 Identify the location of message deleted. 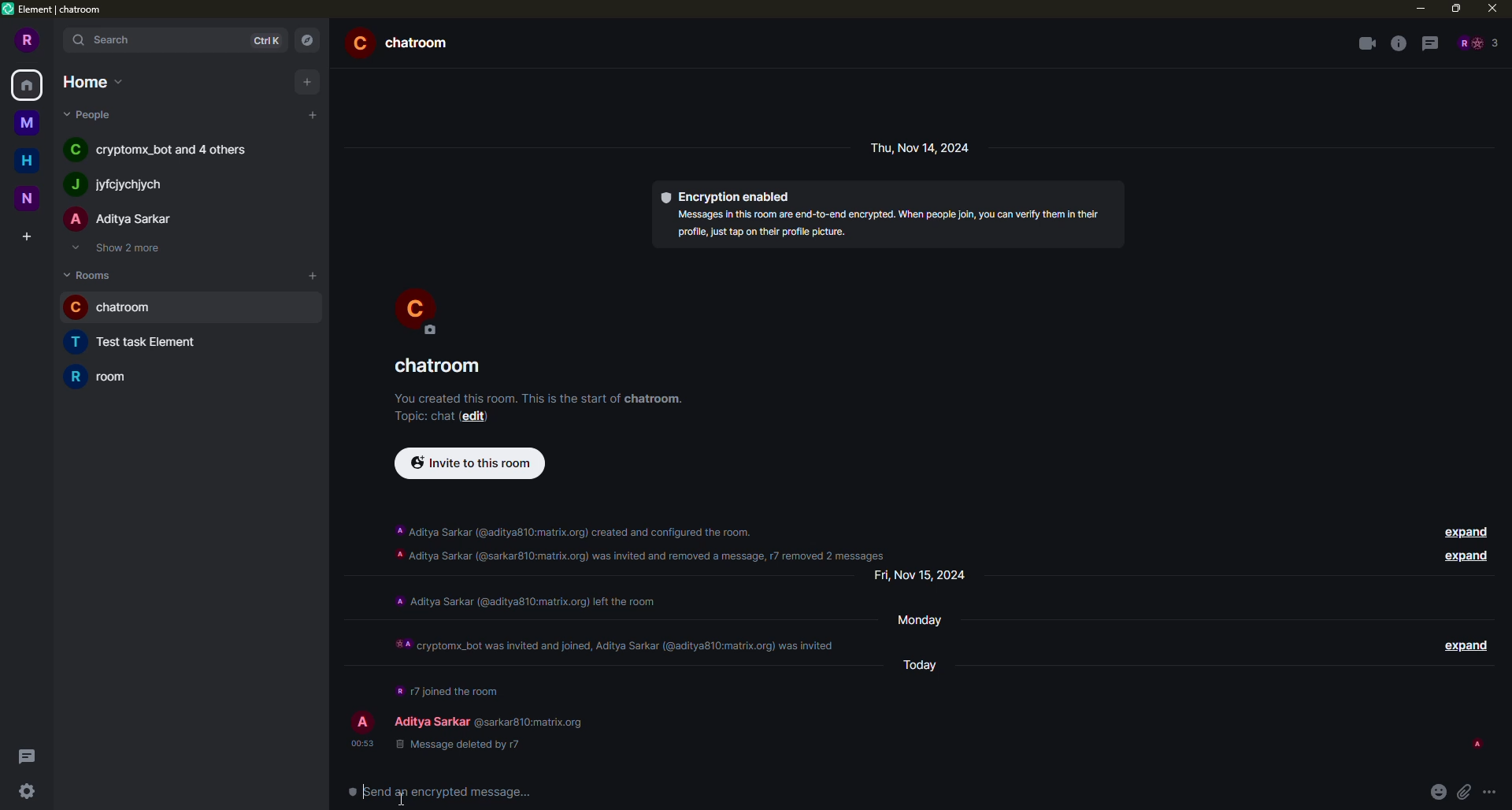
(455, 744).